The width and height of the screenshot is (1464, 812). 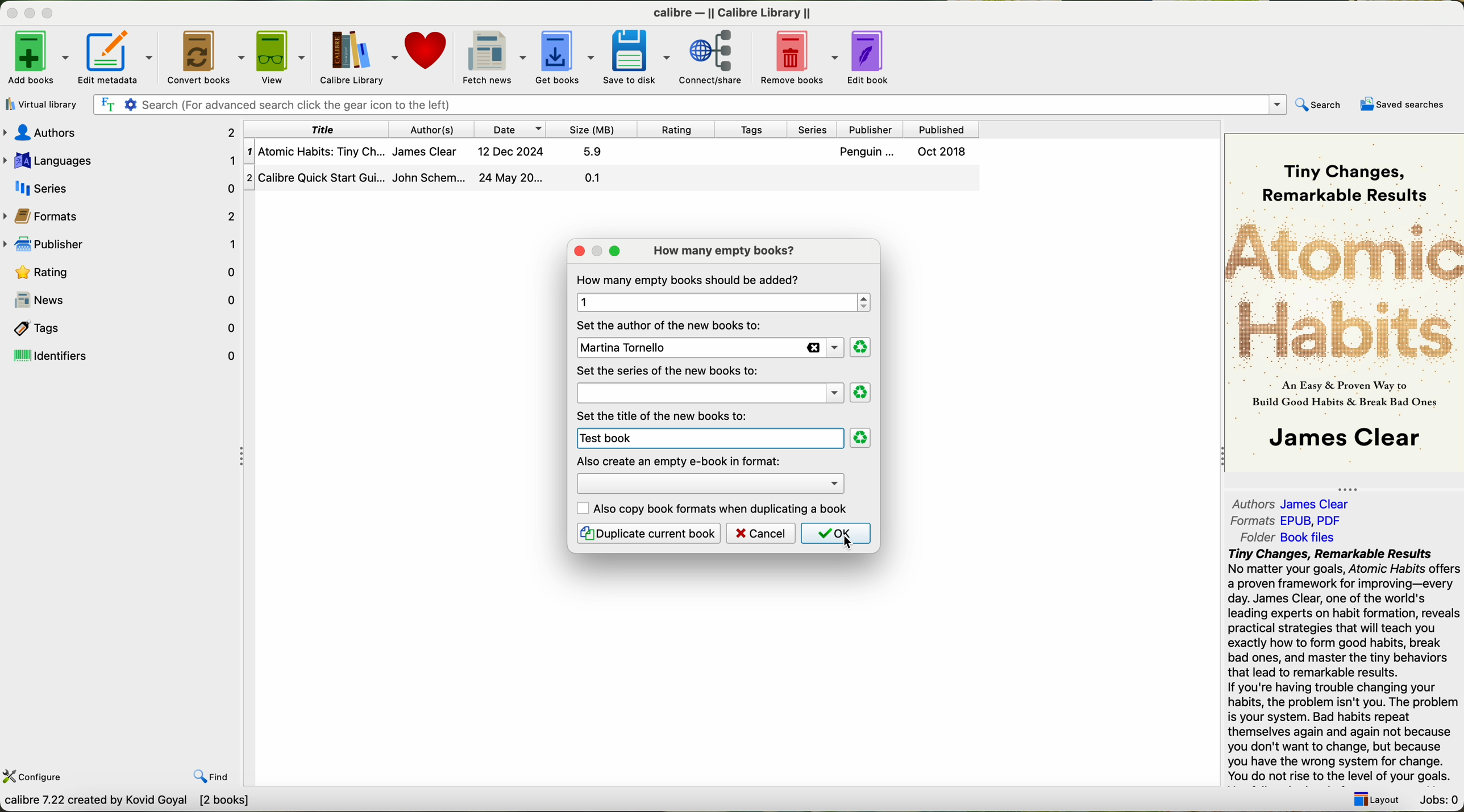 I want to click on maximize, so click(x=49, y=12).